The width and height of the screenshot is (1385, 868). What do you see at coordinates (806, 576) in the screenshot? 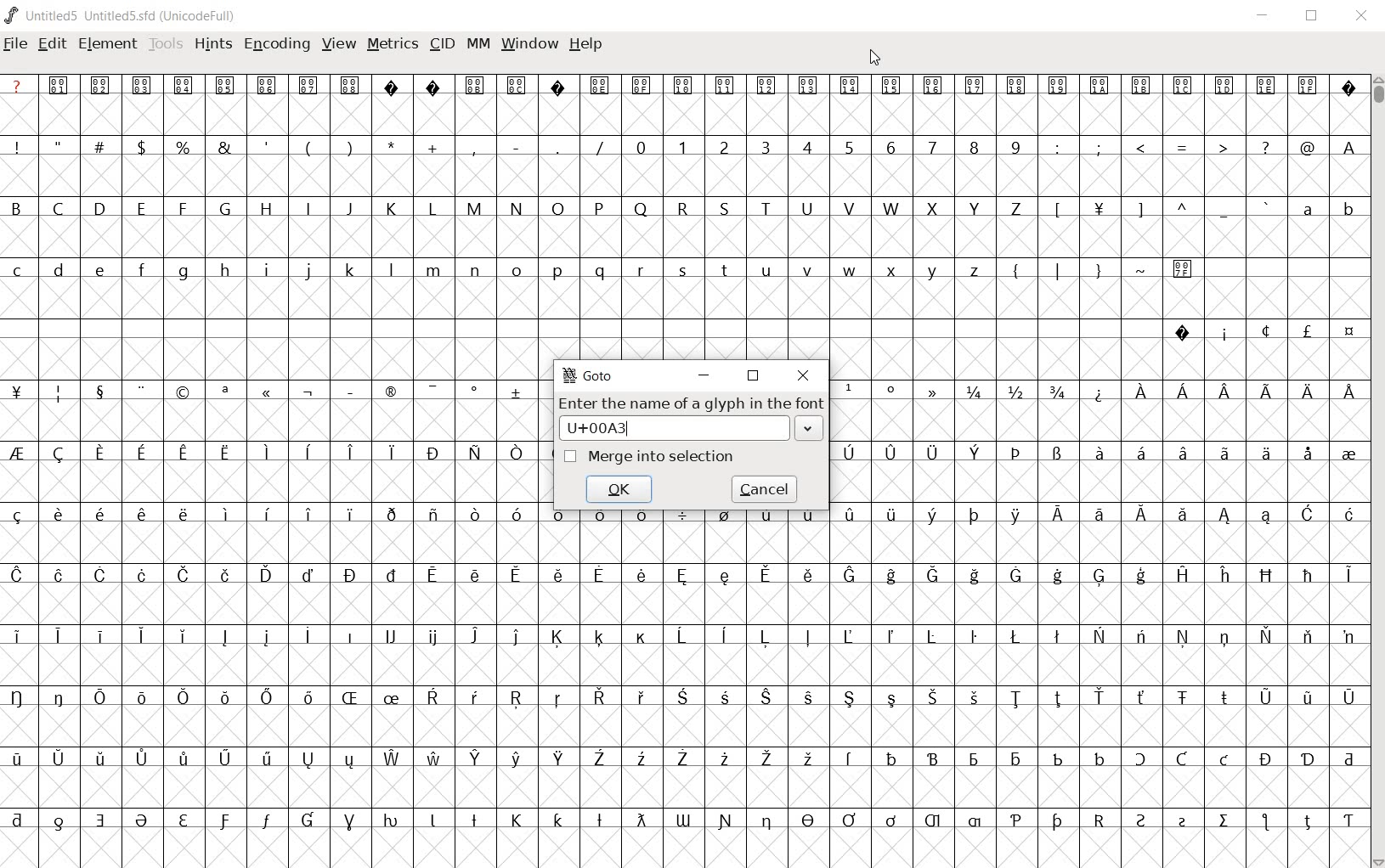
I see `Symbol` at bounding box center [806, 576].